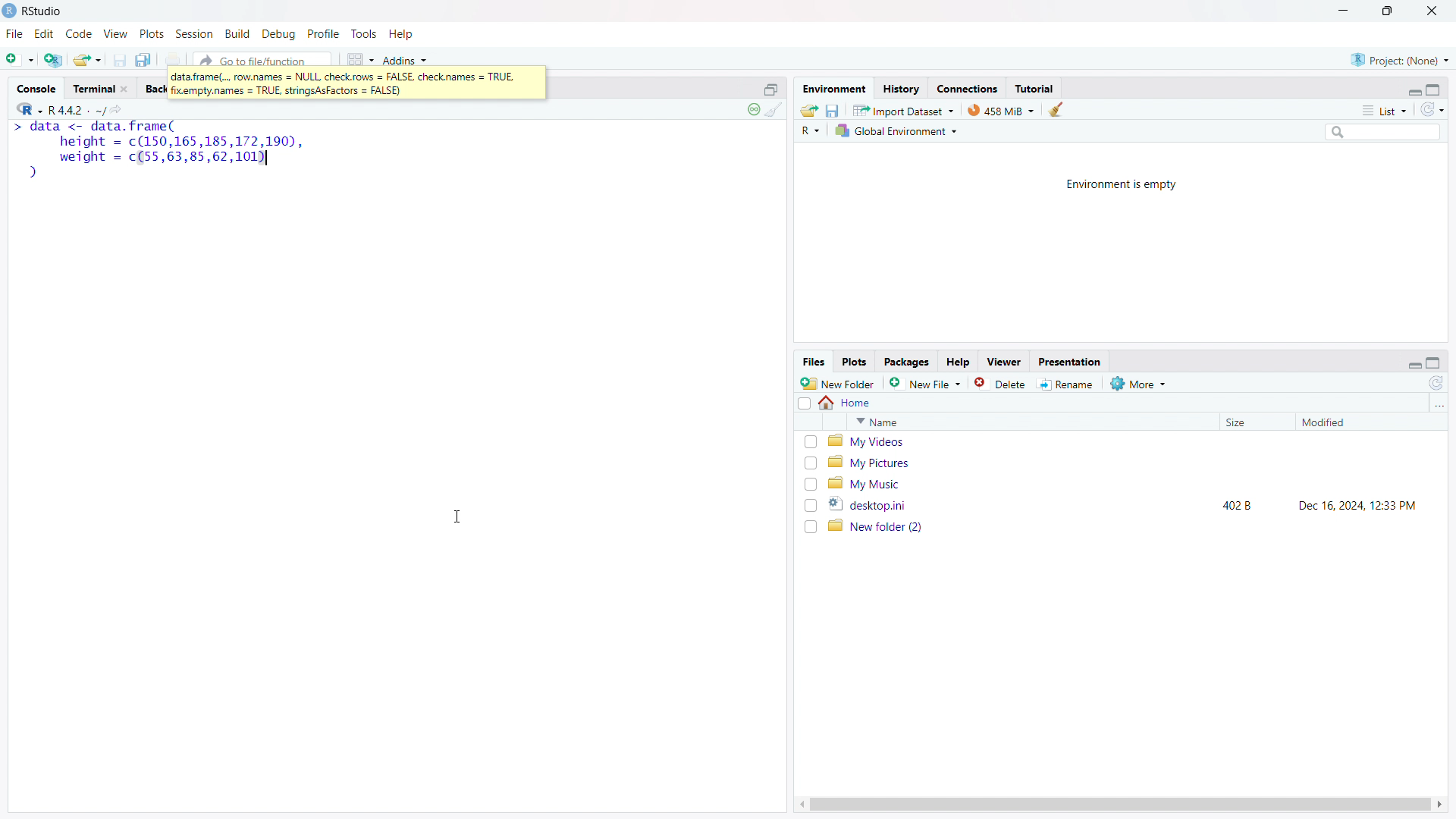  I want to click on clear objects from the workspace, so click(1055, 109).